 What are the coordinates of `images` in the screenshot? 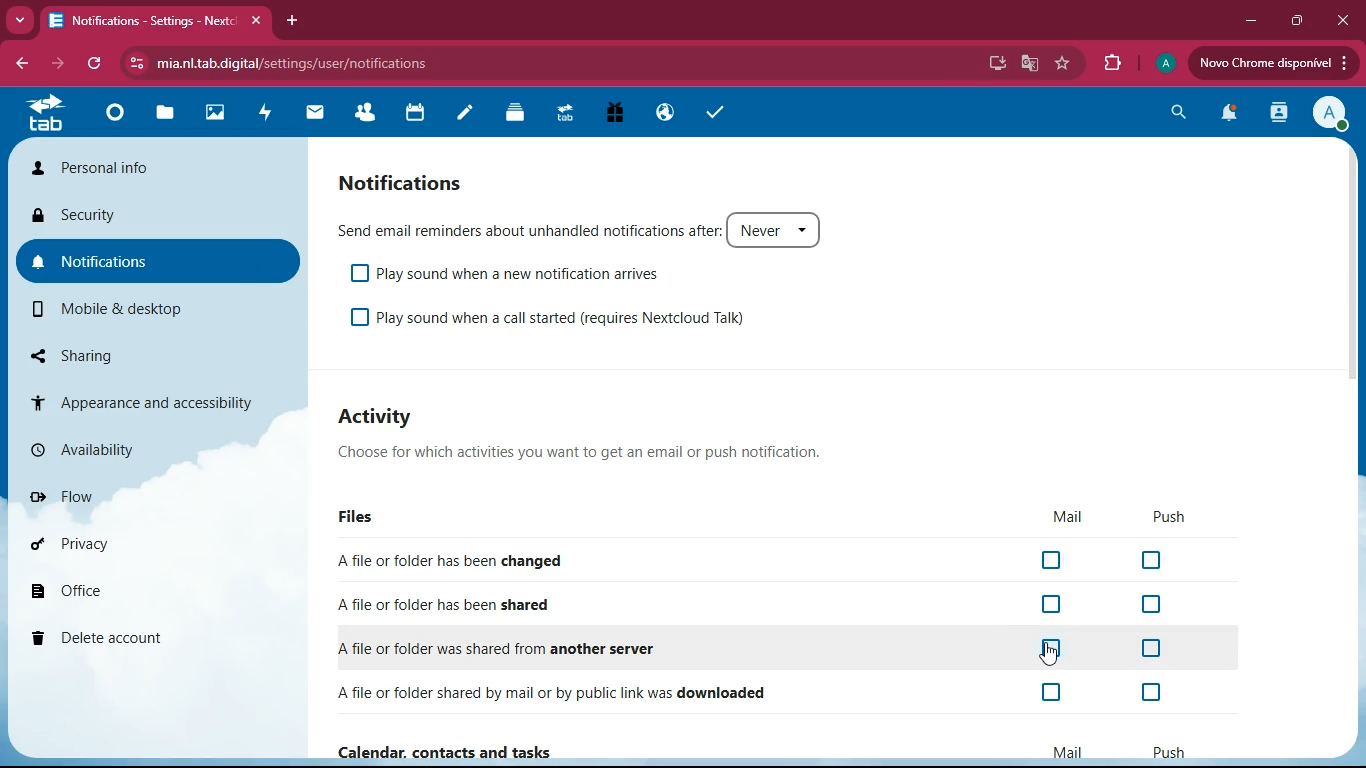 It's located at (212, 114).